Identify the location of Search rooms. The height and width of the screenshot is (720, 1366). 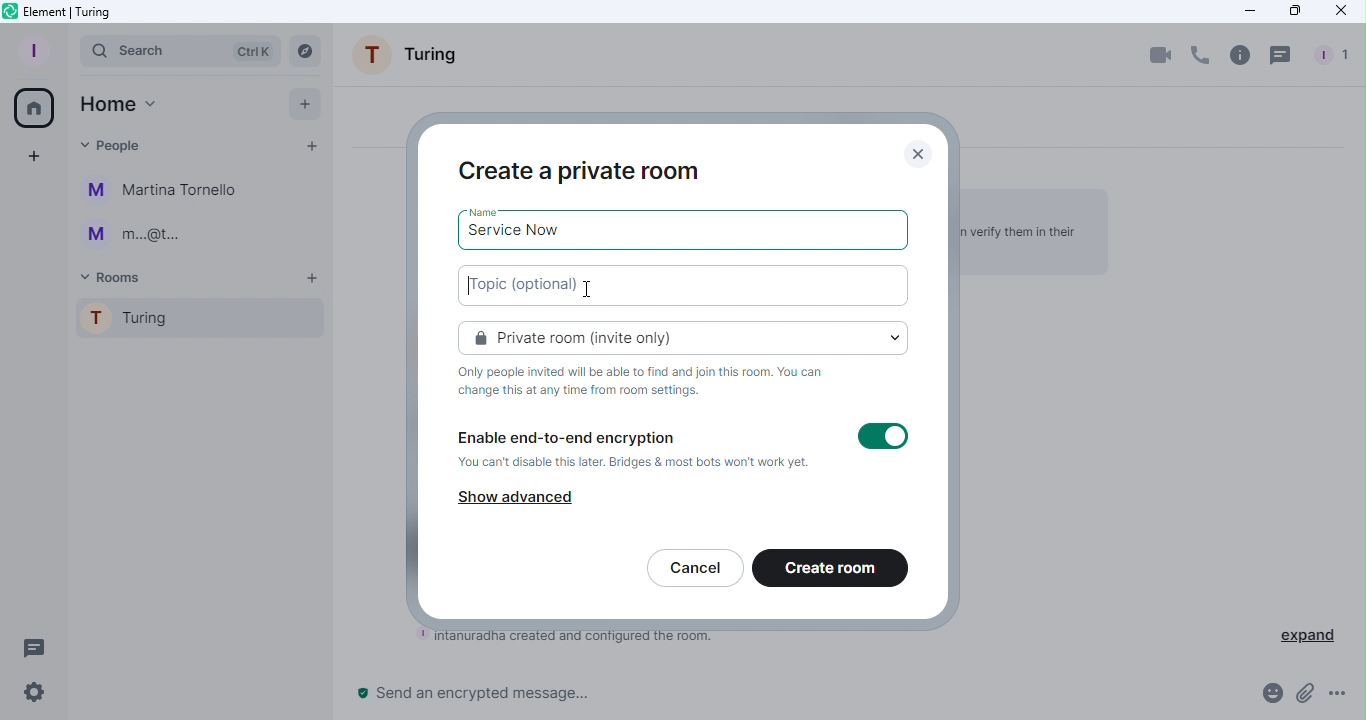
(309, 50).